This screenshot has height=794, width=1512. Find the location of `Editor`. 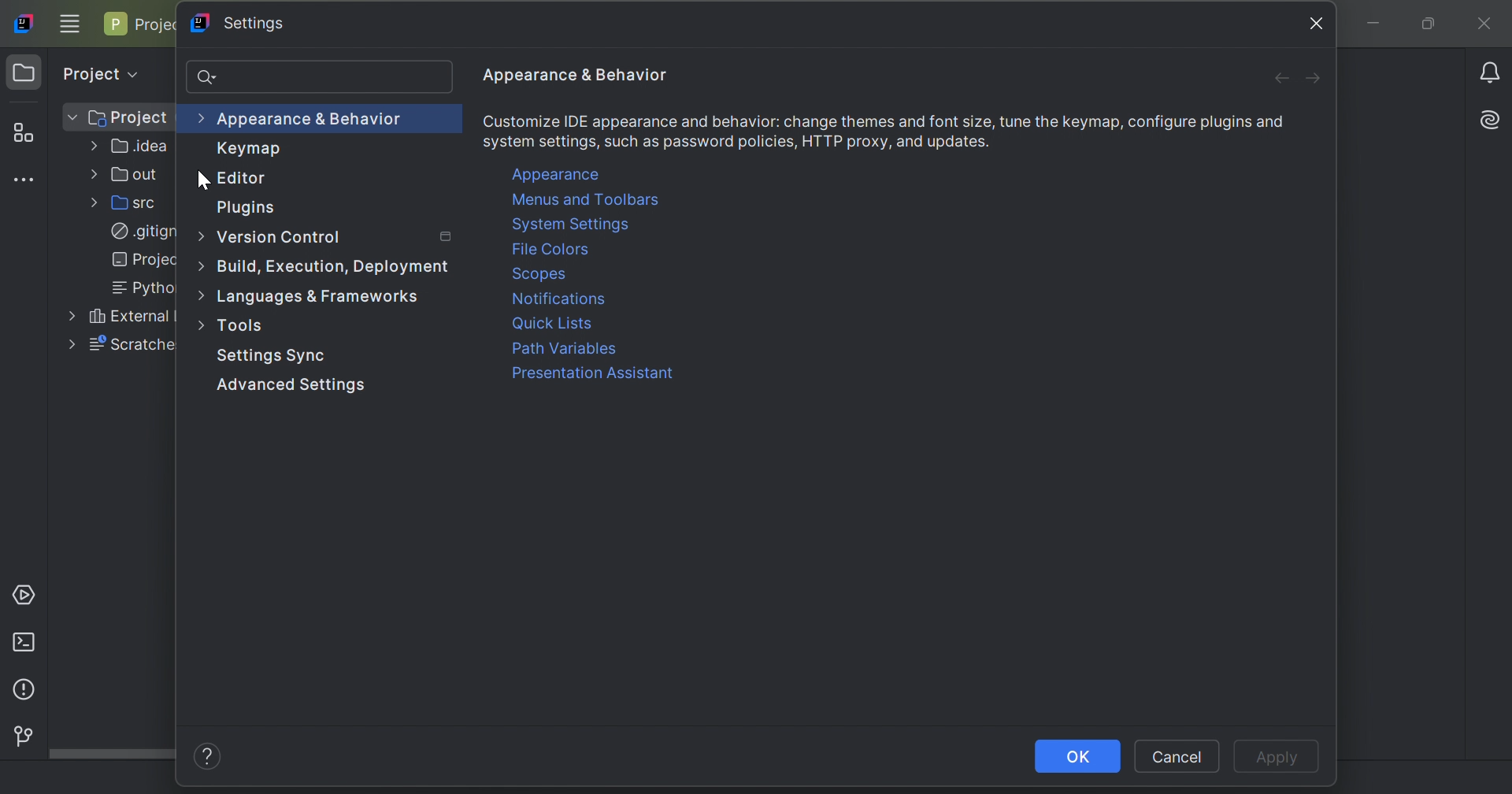

Editor is located at coordinates (242, 180).